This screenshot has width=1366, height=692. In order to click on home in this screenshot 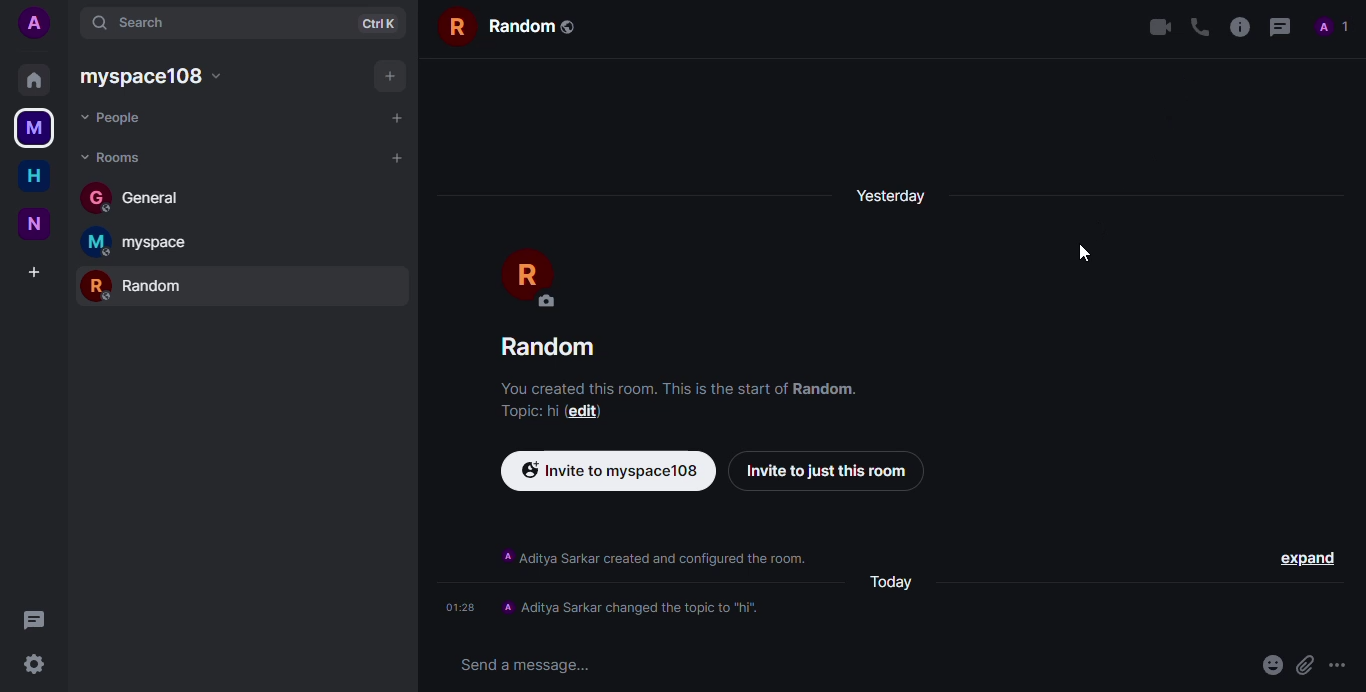, I will do `click(33, 177)`.